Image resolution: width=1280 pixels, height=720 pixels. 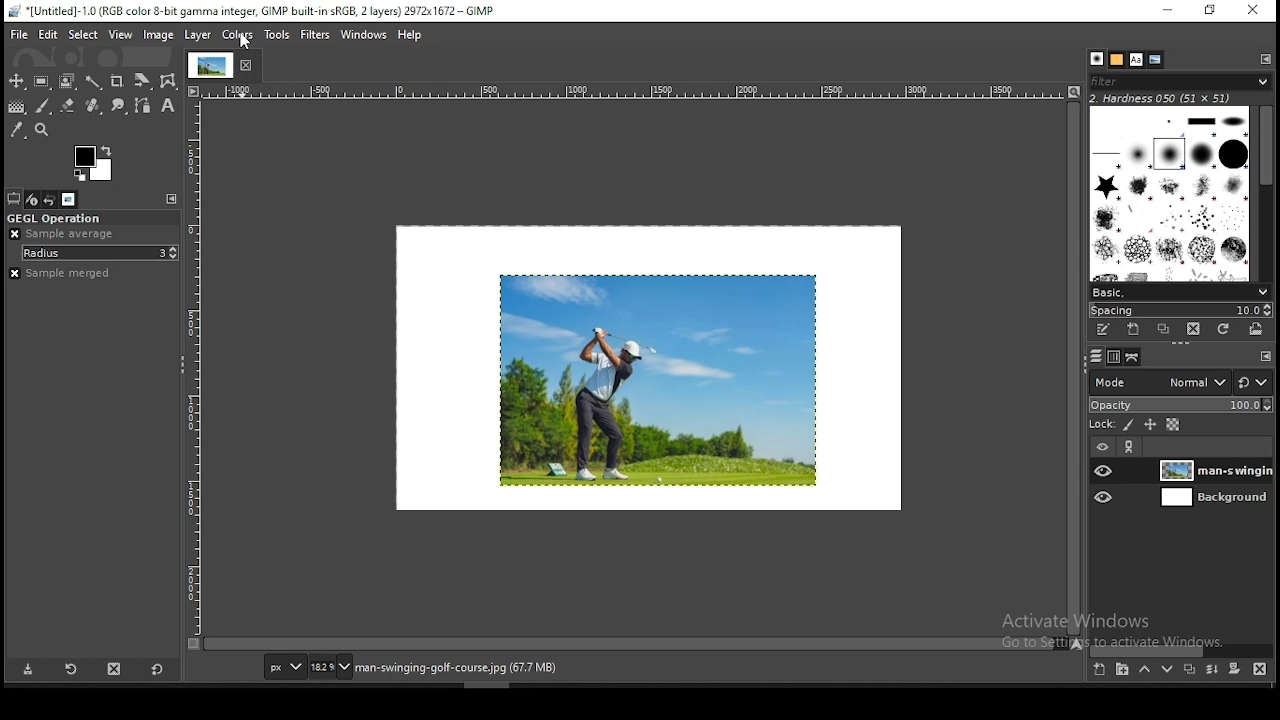 I want to click on color picker tool, so click(x=18, y=129).